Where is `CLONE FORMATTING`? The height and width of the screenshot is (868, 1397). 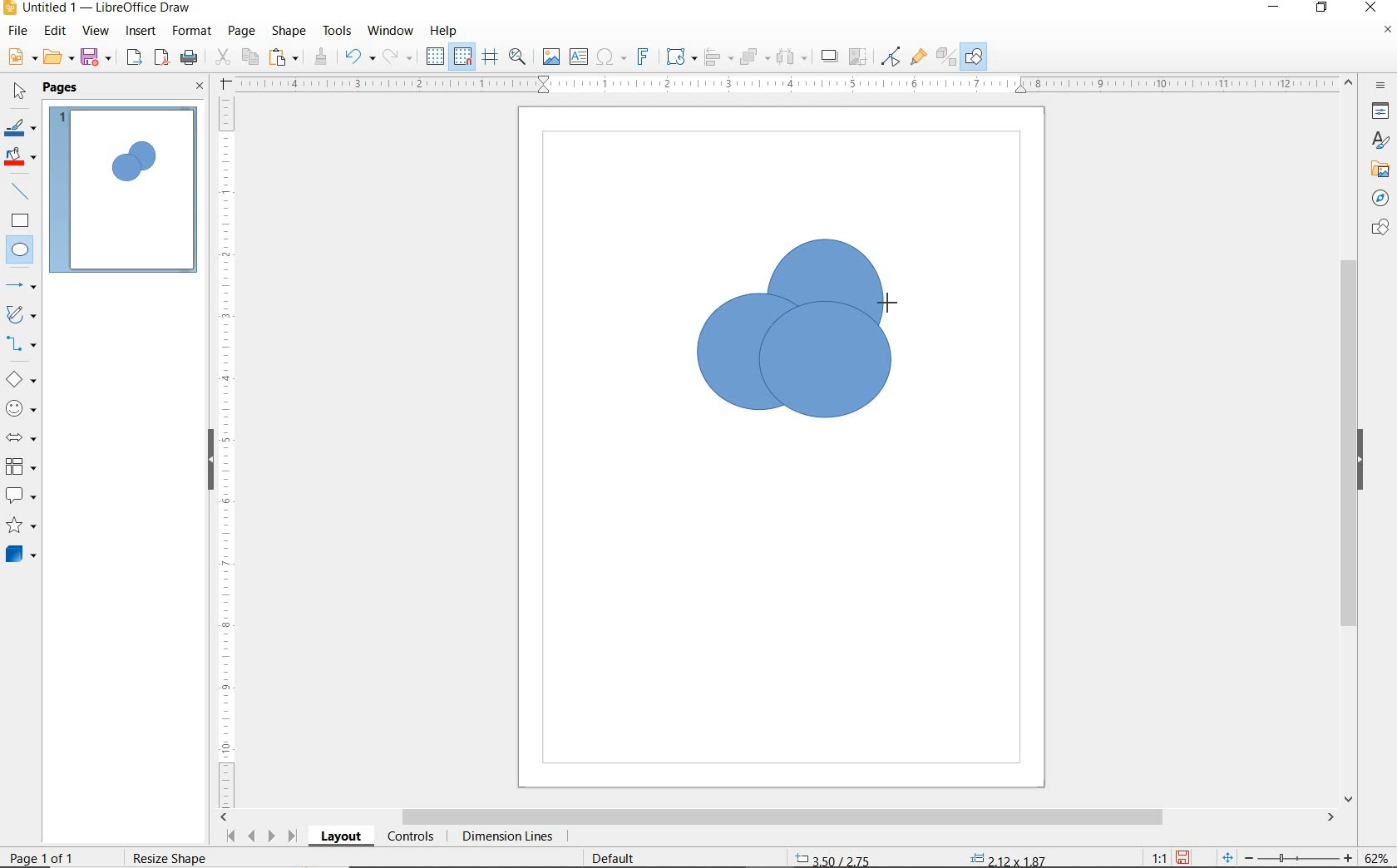
CLONE FORMATTING is located at coordinates (320, 57).